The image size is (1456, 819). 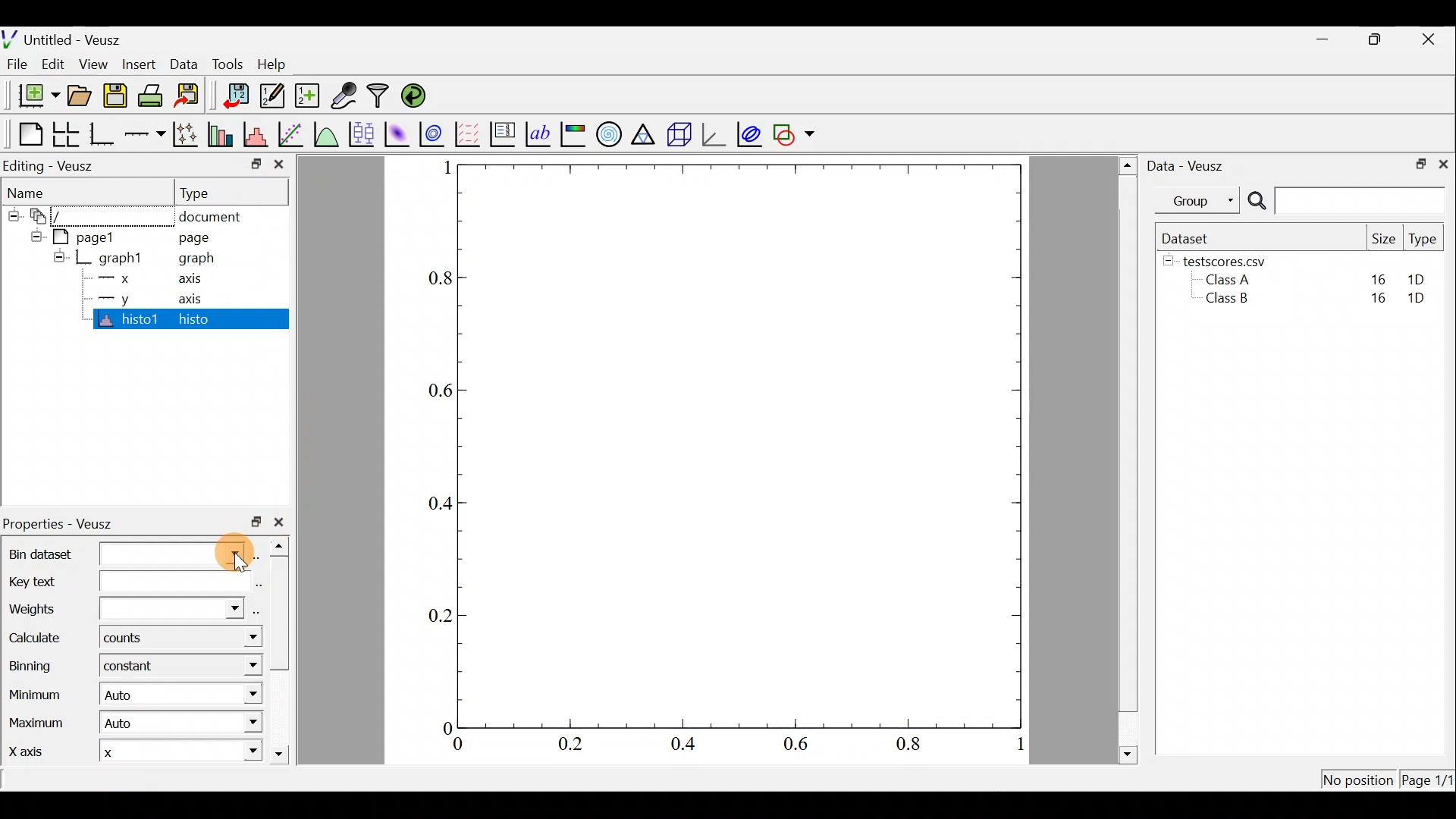 What do you see at coordinates (39, 639) in the screenshot?
I see `Calculate` at bounding box center [39, 639].